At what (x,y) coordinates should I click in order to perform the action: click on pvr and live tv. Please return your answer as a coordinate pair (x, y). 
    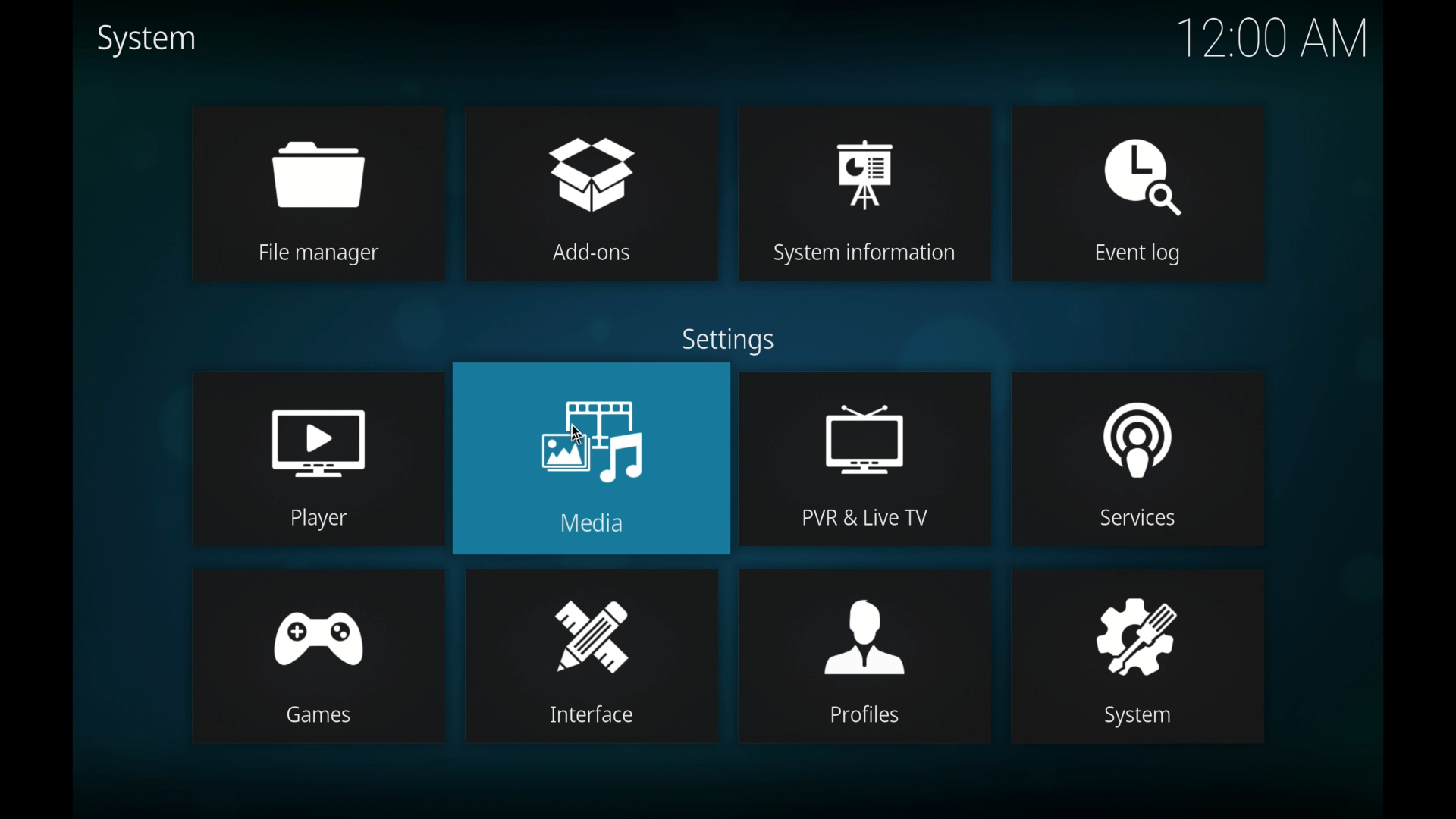
    Looking at the image, I should click on (868, 459).